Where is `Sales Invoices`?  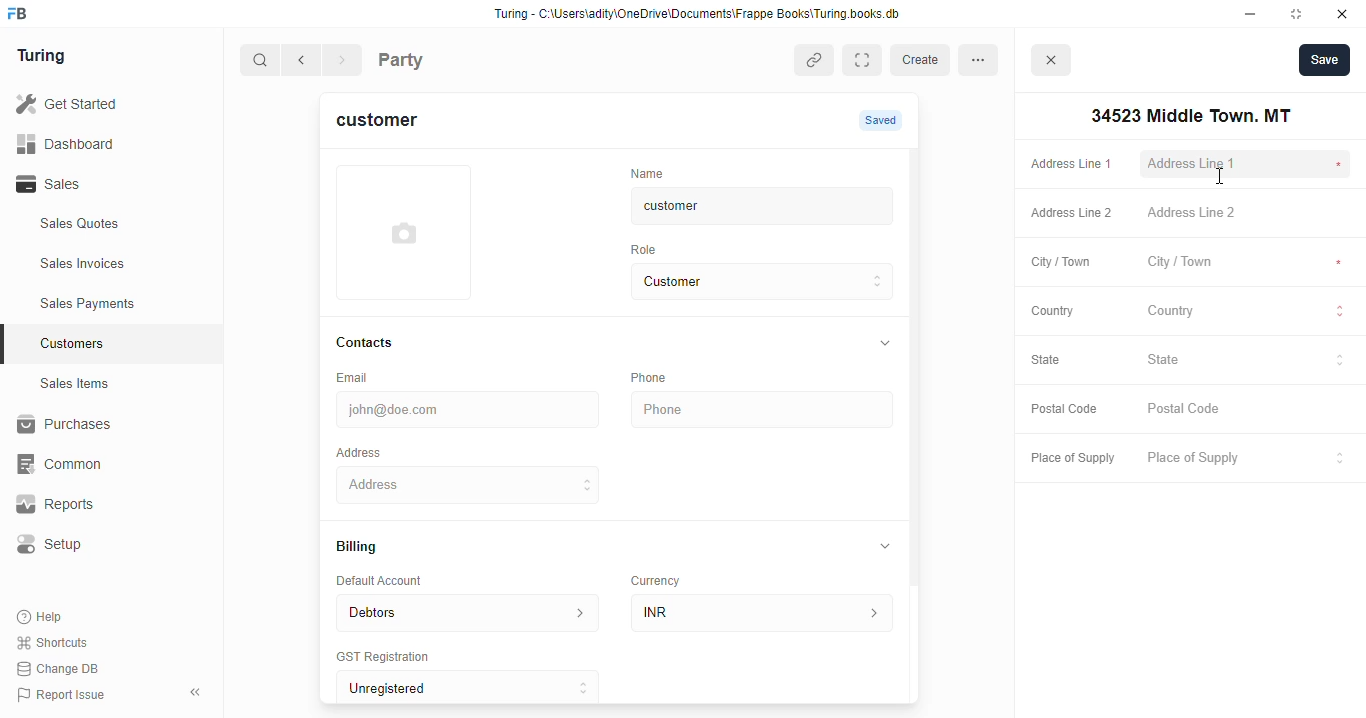
Sales Invoices is located at coordinates (117, 264).